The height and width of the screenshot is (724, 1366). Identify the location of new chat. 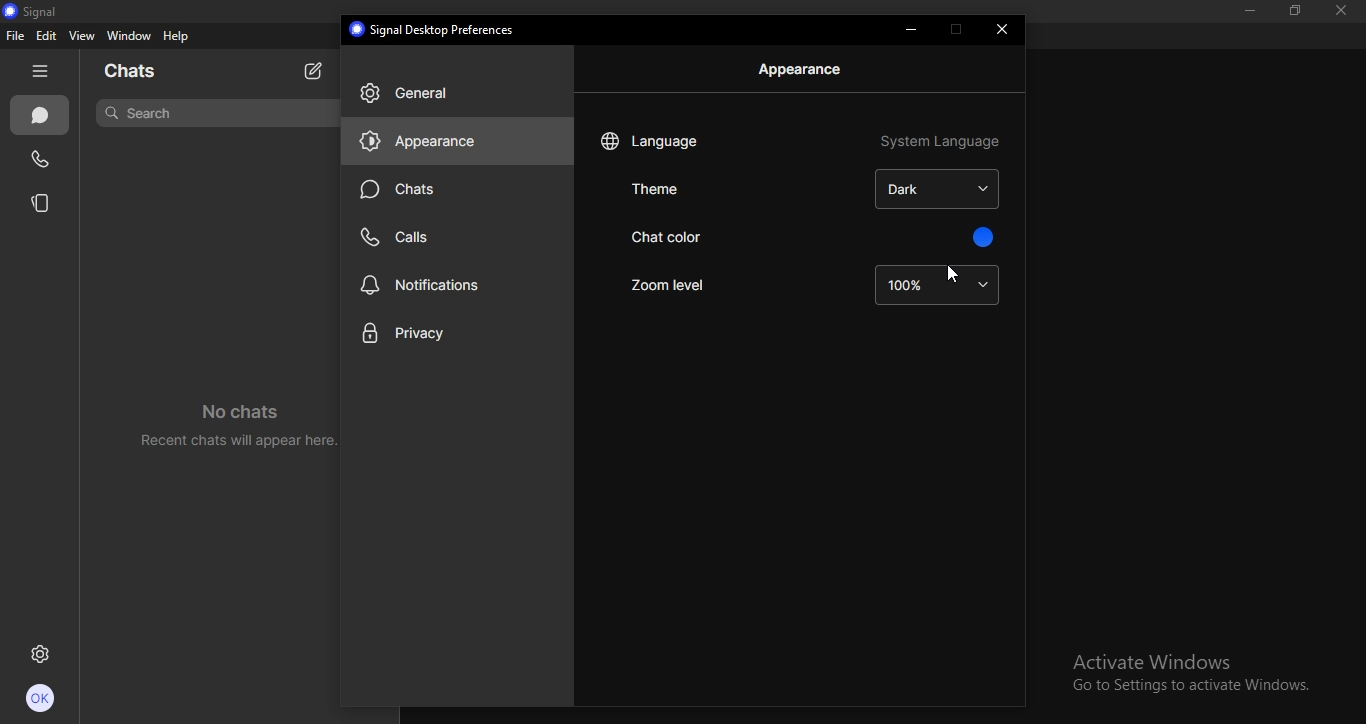
(314, 69).